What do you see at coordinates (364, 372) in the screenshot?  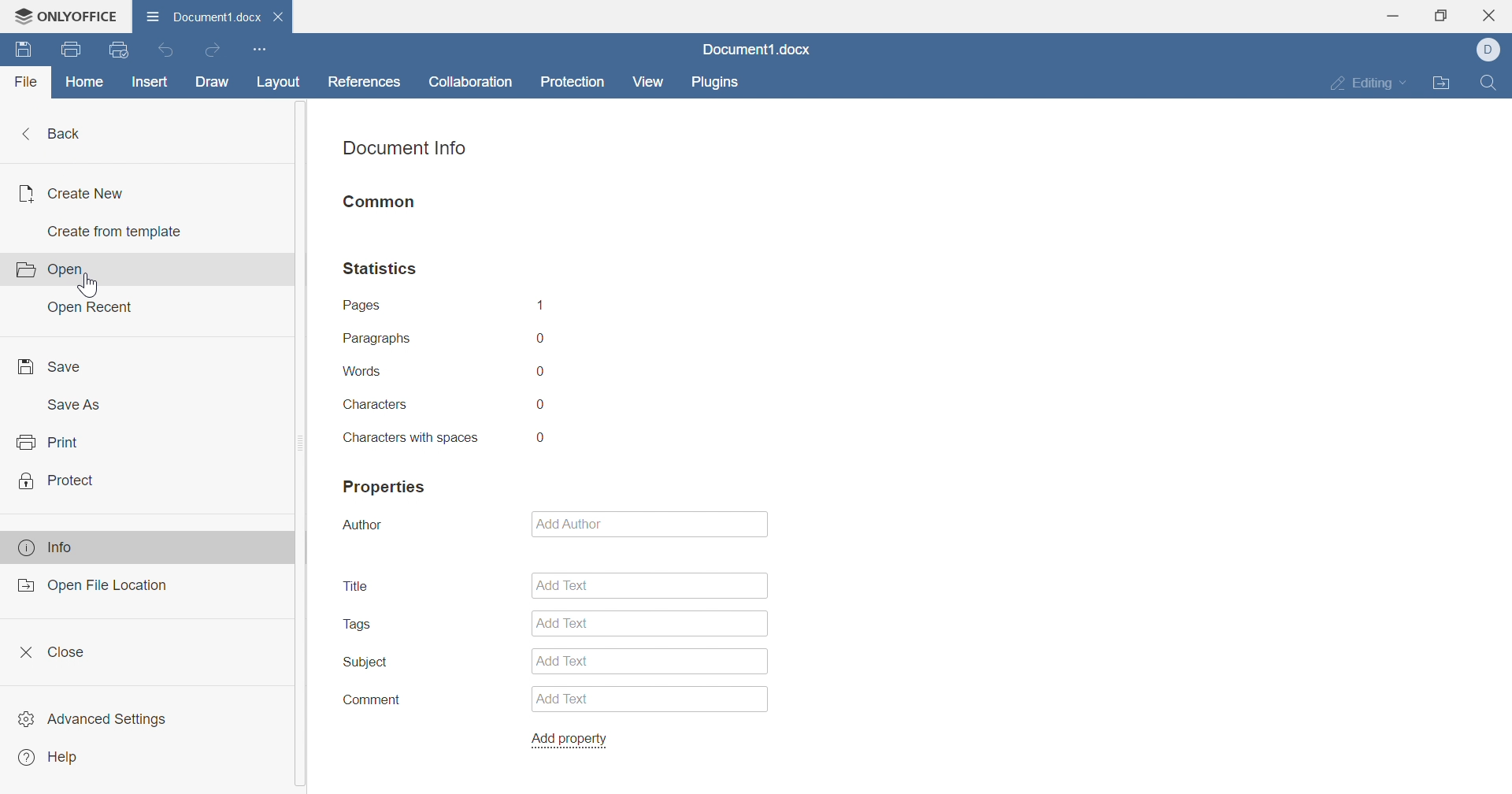 I see `words` at bounding box center [364, 372].